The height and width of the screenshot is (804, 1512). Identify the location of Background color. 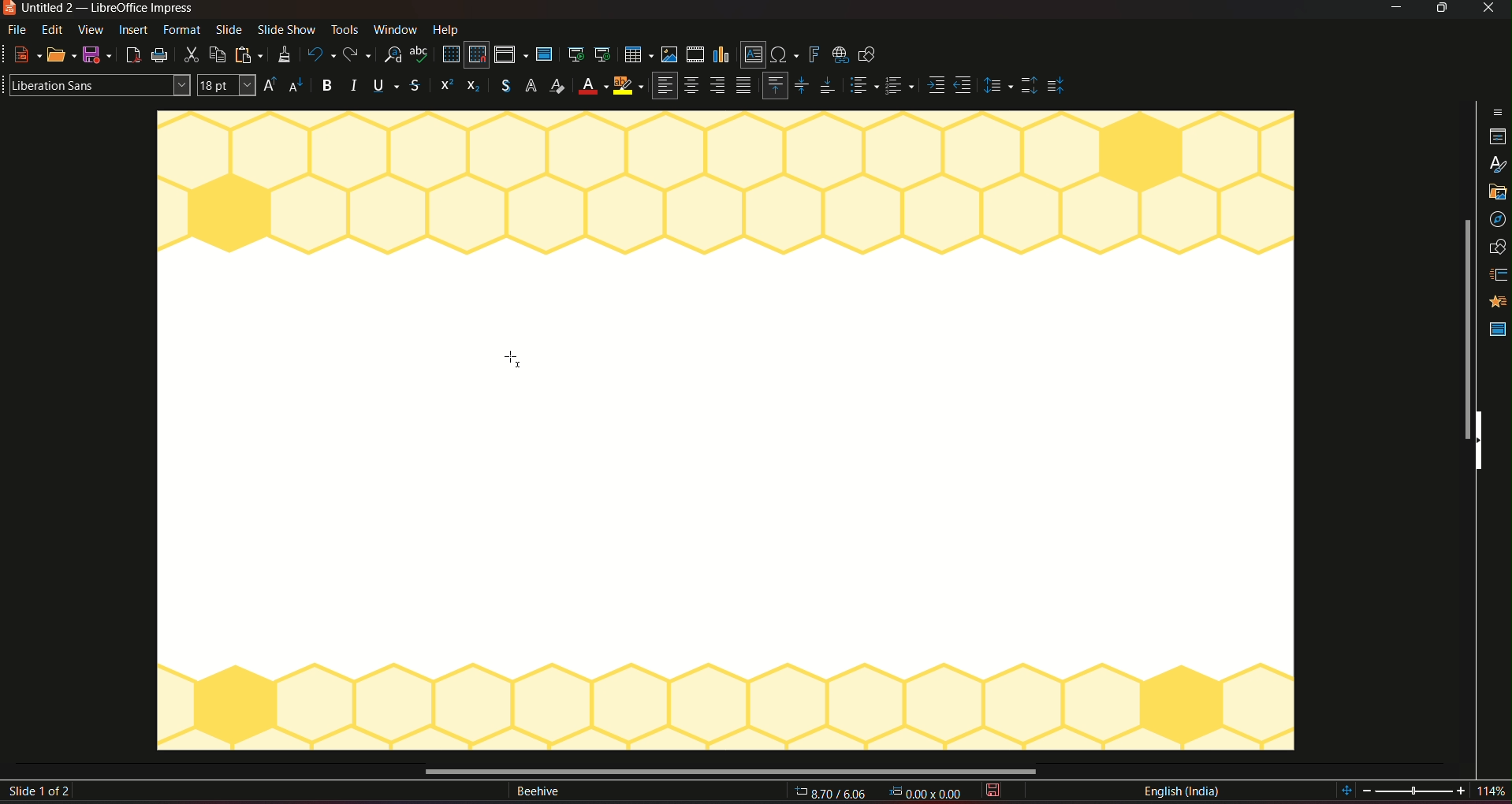
(590, 87).